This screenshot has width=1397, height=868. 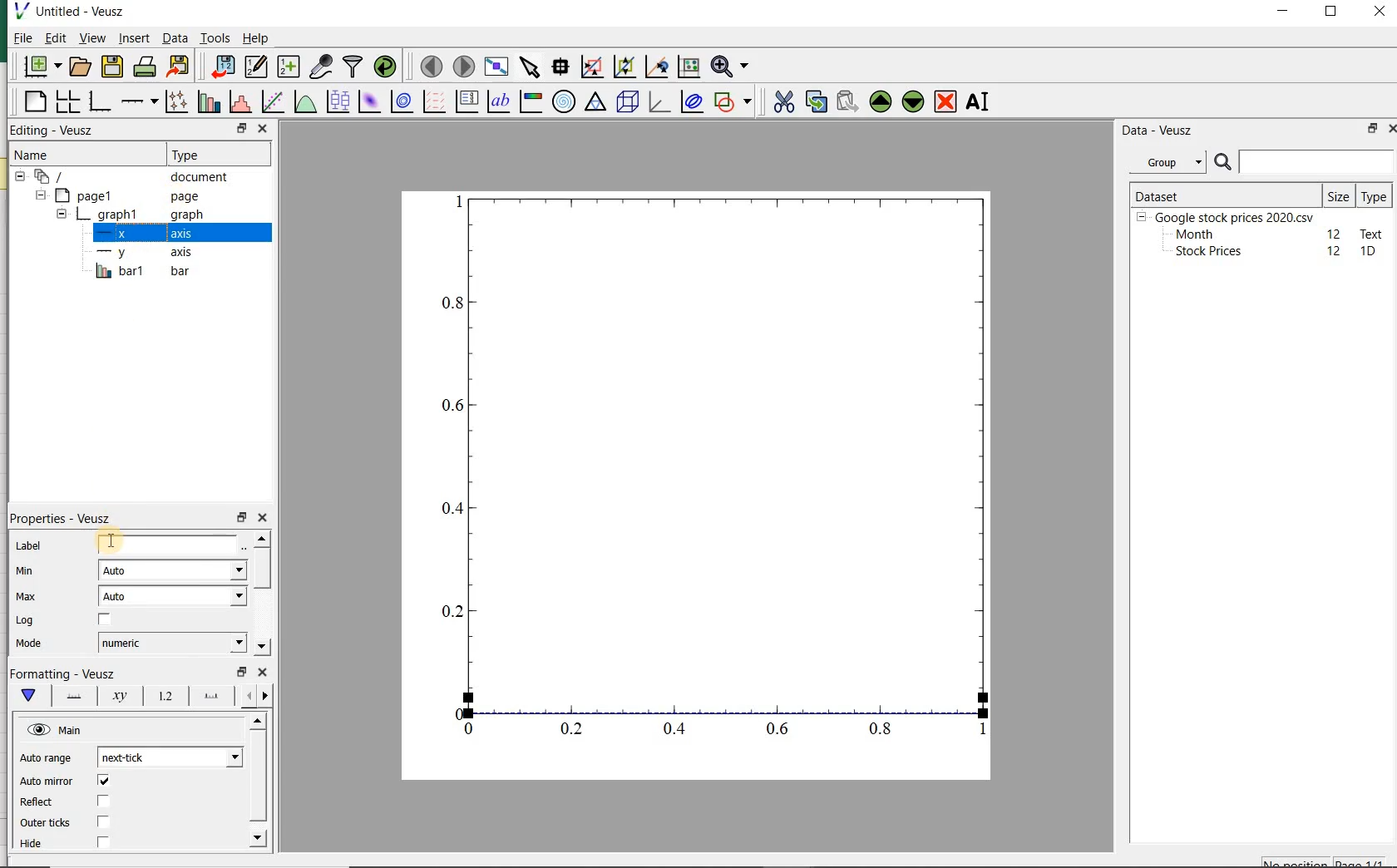 I want to click on y-axis, so click(x=141, y=253).